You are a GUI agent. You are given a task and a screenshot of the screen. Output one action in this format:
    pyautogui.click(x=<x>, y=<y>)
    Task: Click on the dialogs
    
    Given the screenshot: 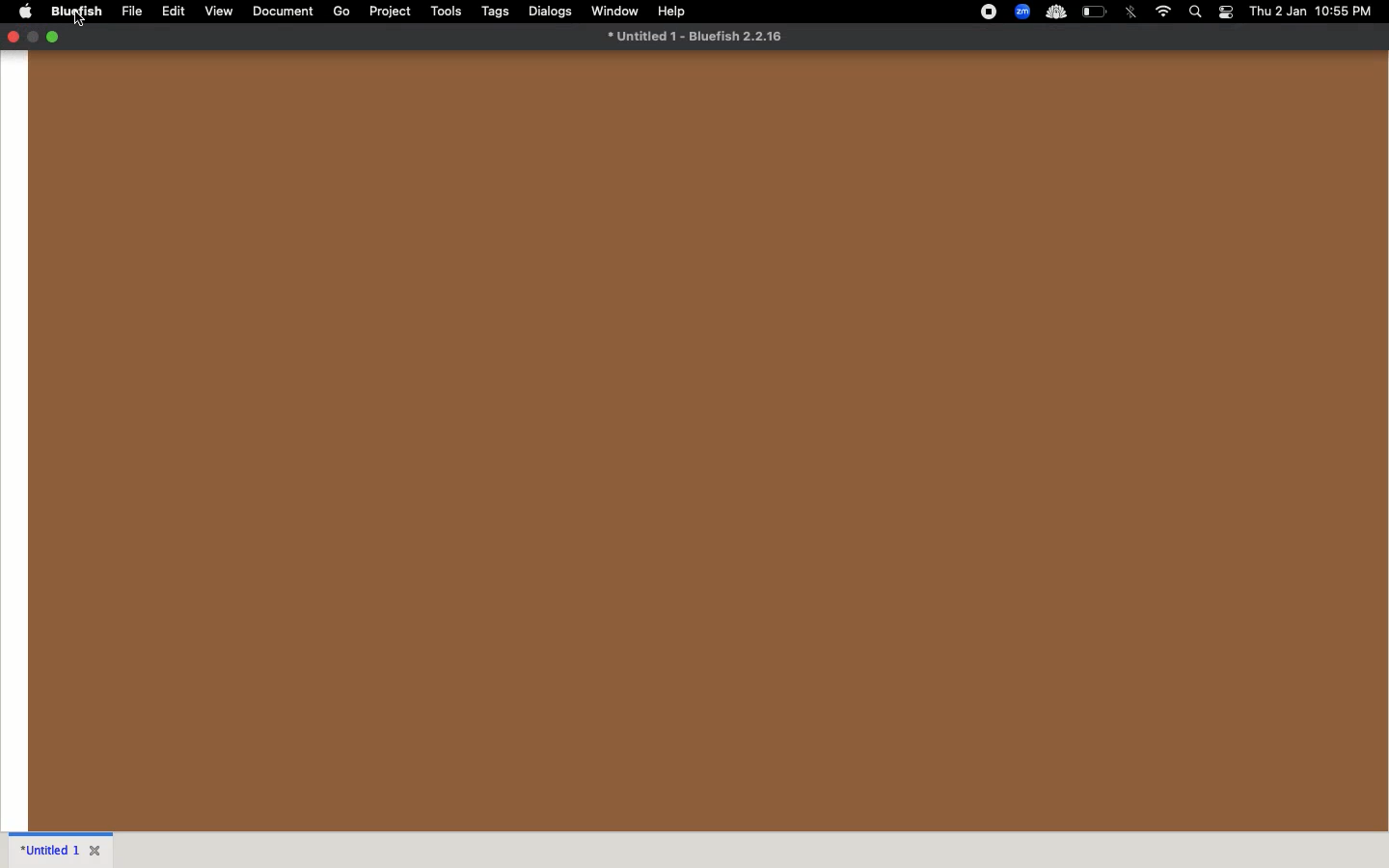 What is the action you would take?
    pyautogui.click(x=552, y=11)
    